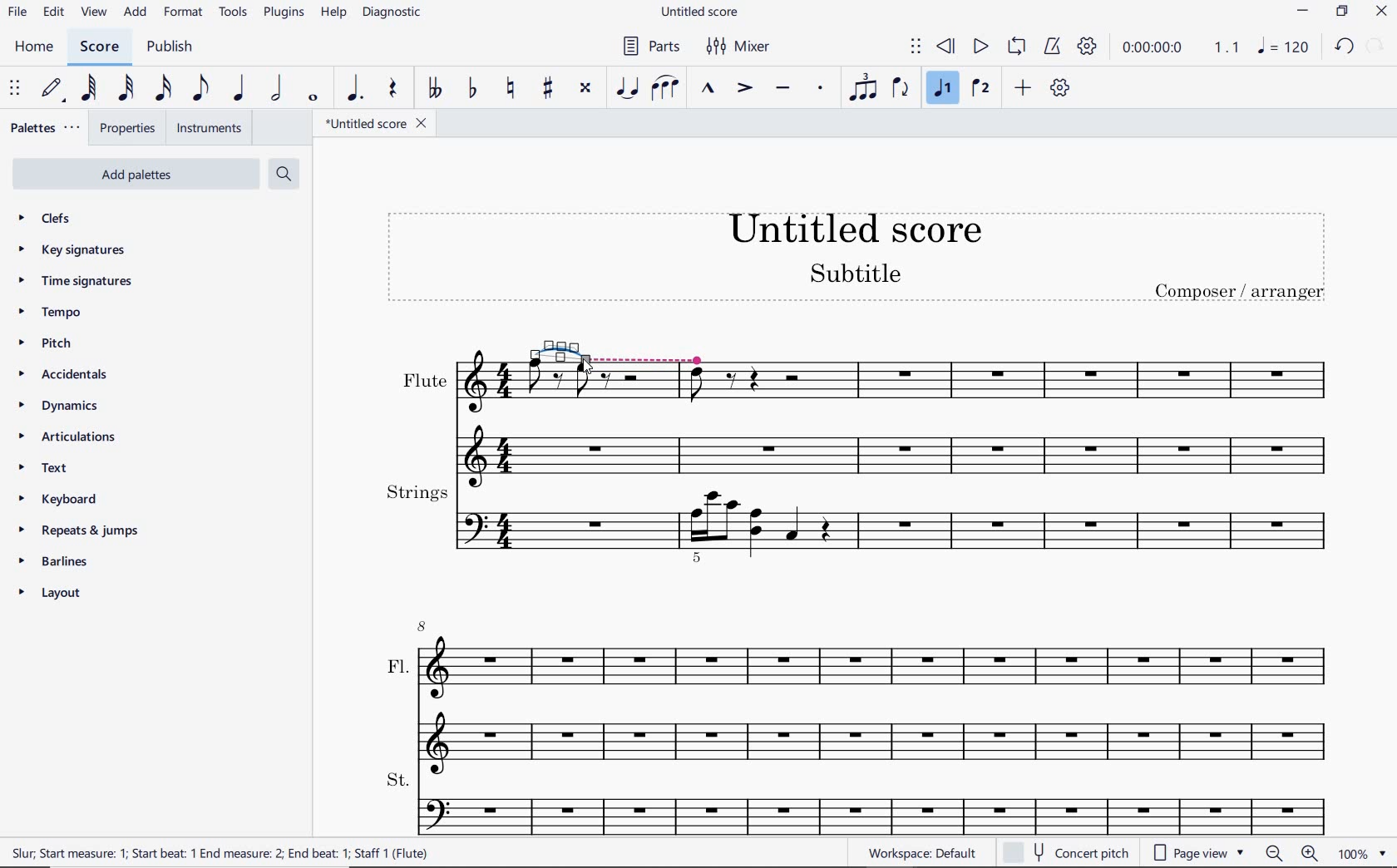 The height and width of the screenshot is (868, 1397). Describe the element at coordinates (54, 220) in the screenshot. I see `clefs` at that location.